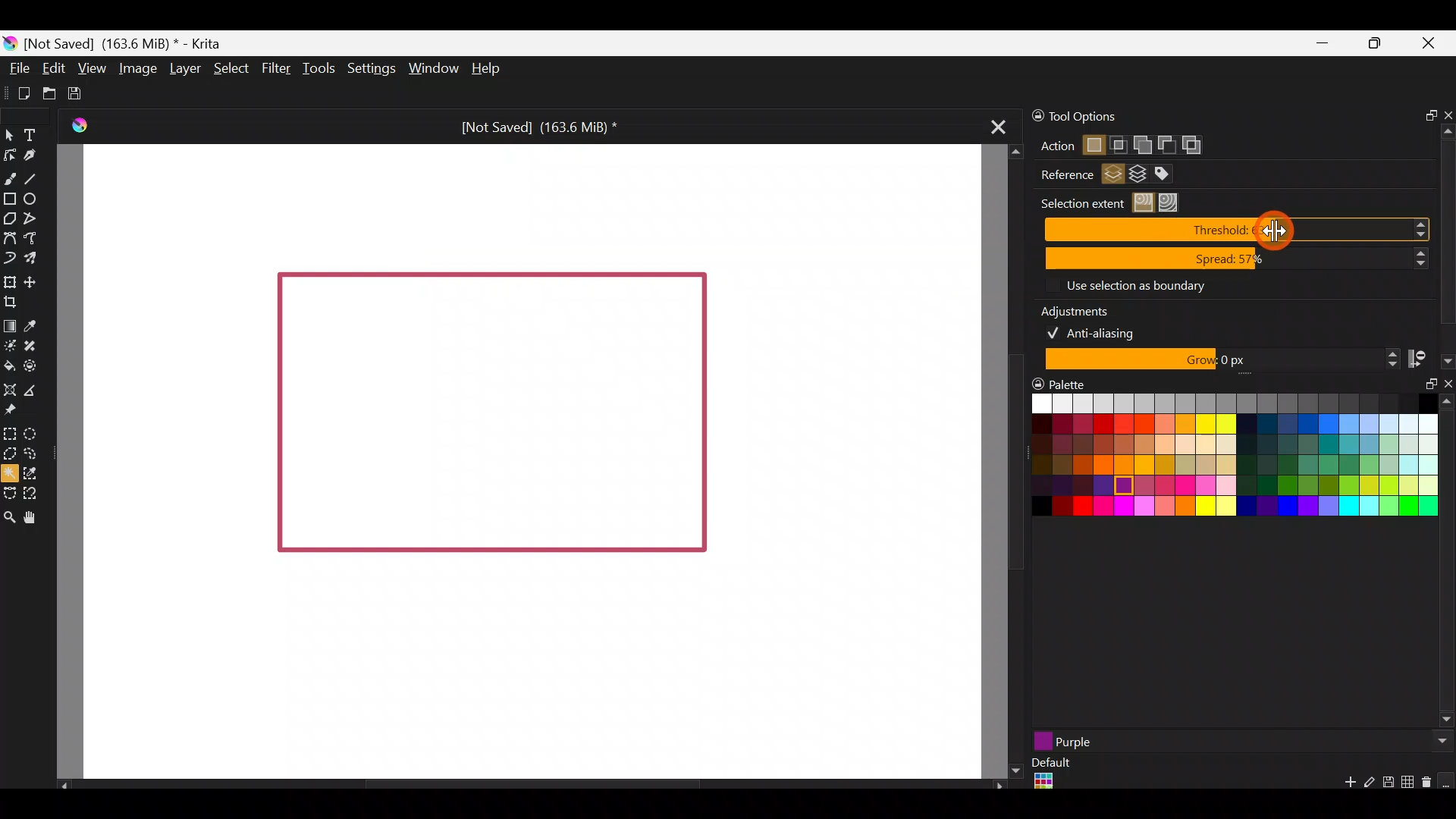 The height and width of the screenshot is (819, 1456). Describe the element at coordinates (12, 137) in the screenshot. I see `Select shapes tool` at that location.